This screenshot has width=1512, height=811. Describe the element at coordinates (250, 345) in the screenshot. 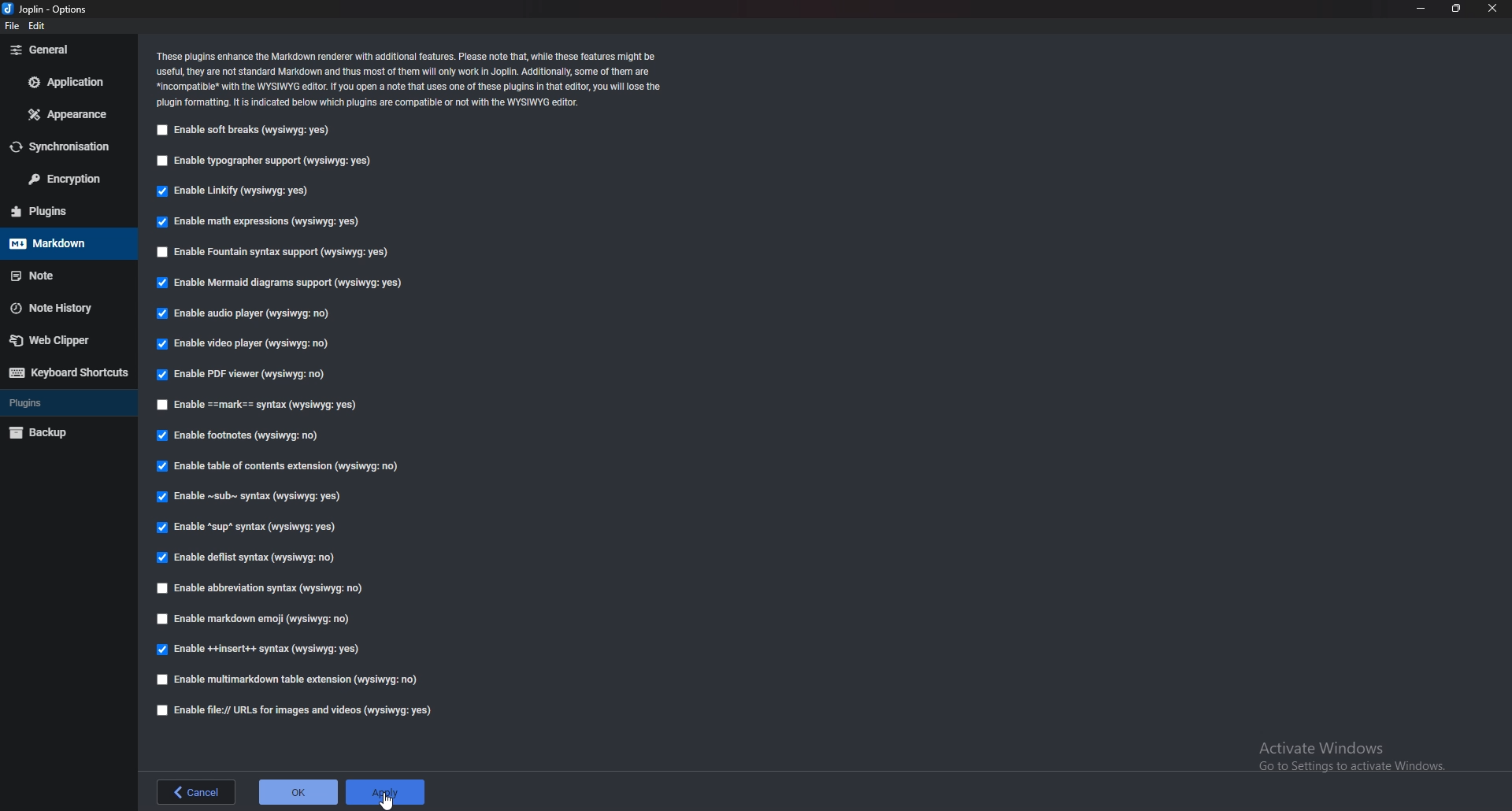

I see `Enable video player` at that location.